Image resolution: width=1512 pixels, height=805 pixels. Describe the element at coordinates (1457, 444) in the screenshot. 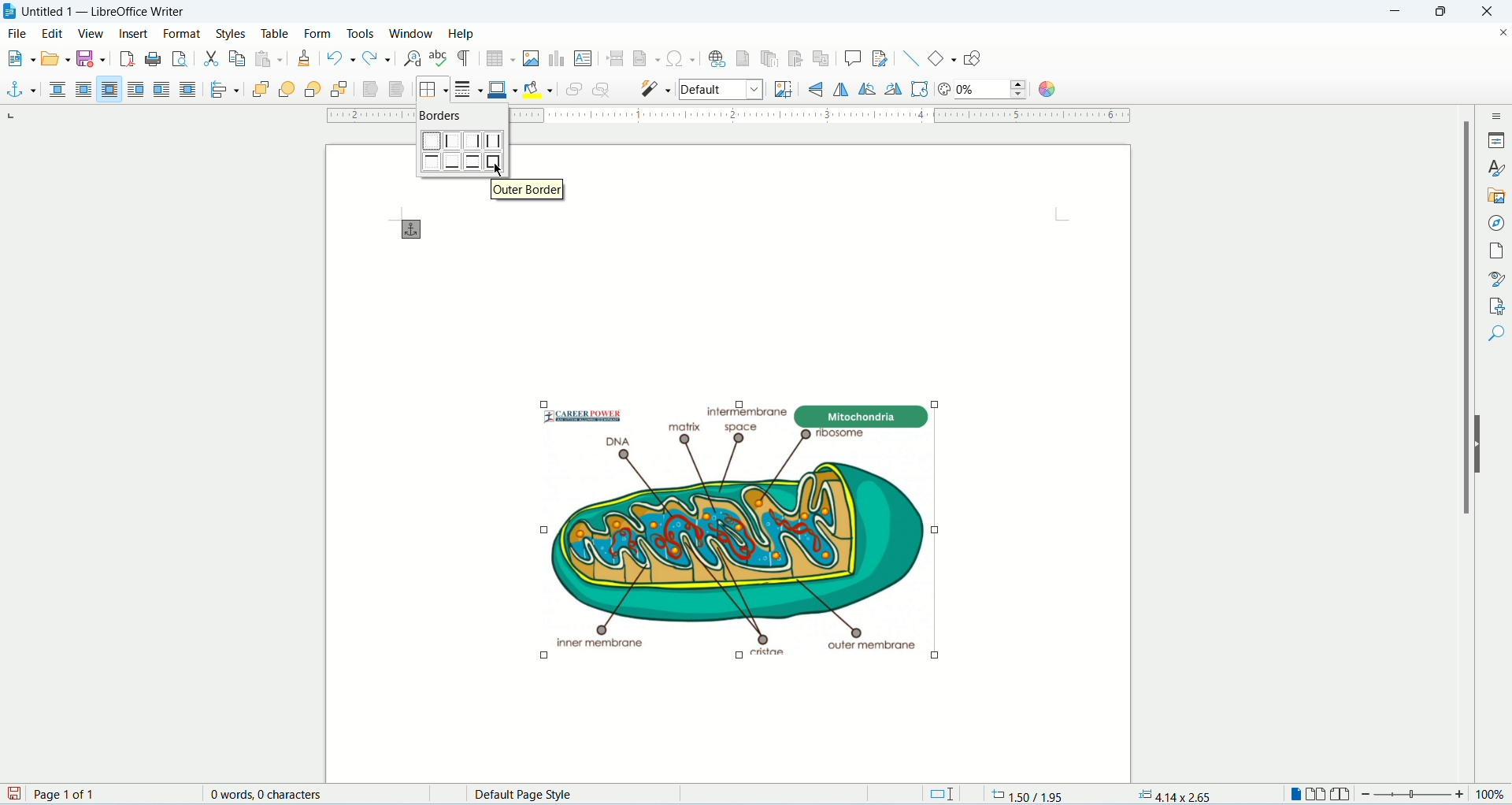

I see `vertical scroll bar` at that location.